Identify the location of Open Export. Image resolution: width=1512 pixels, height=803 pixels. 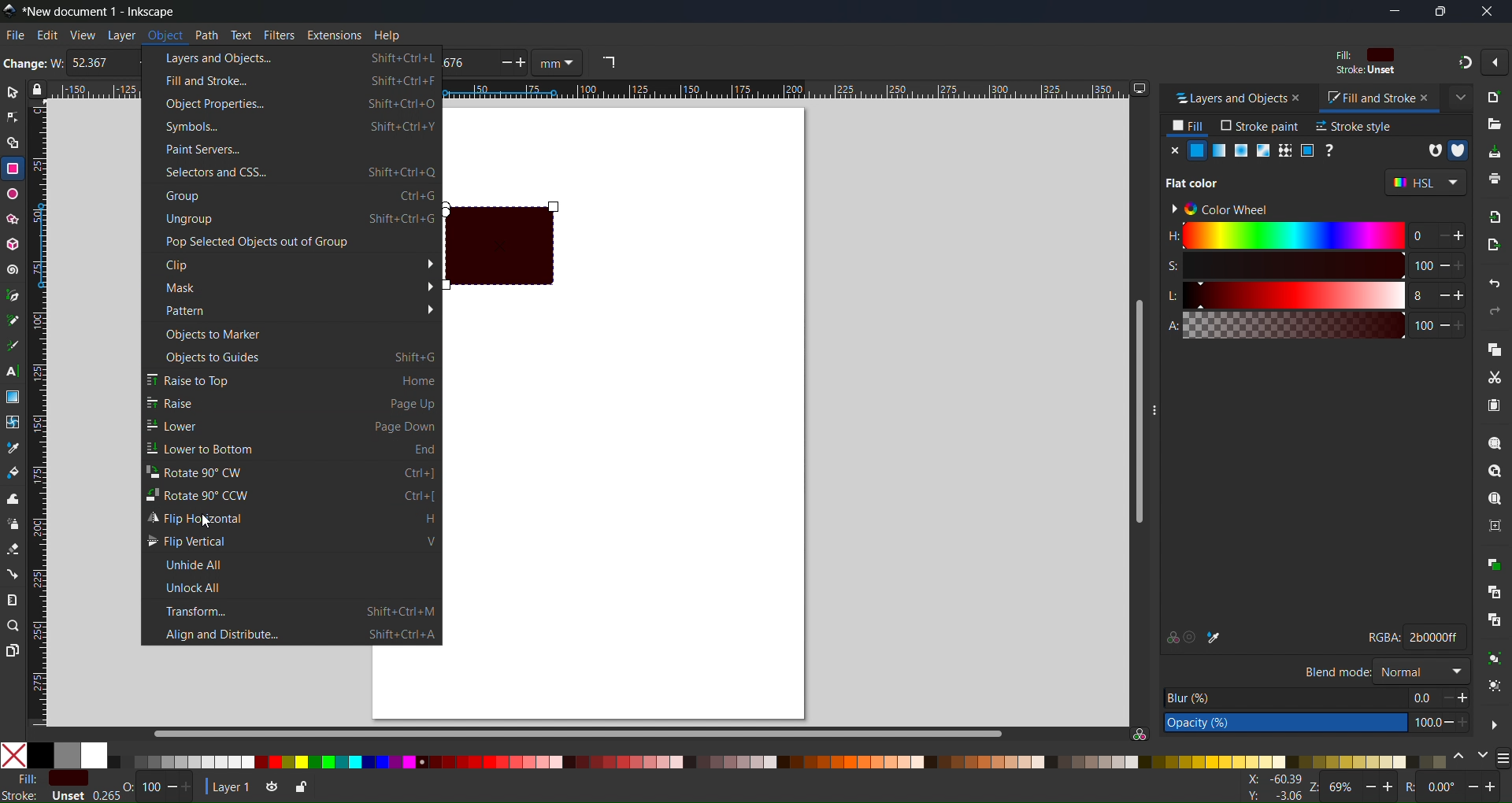
(1496, 244).